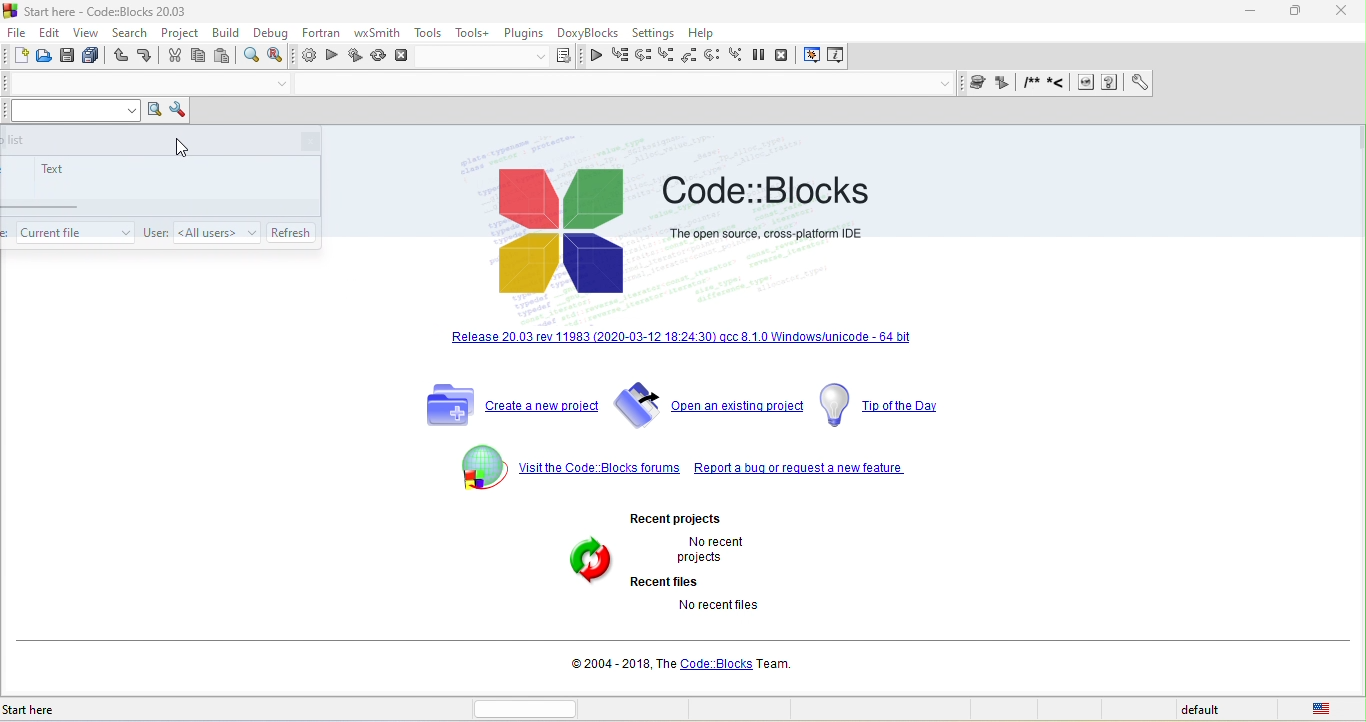  What do you see at coordinates (1135, 83) in the screenshot?
I see `open preference` at bounding box center [1135, 83].